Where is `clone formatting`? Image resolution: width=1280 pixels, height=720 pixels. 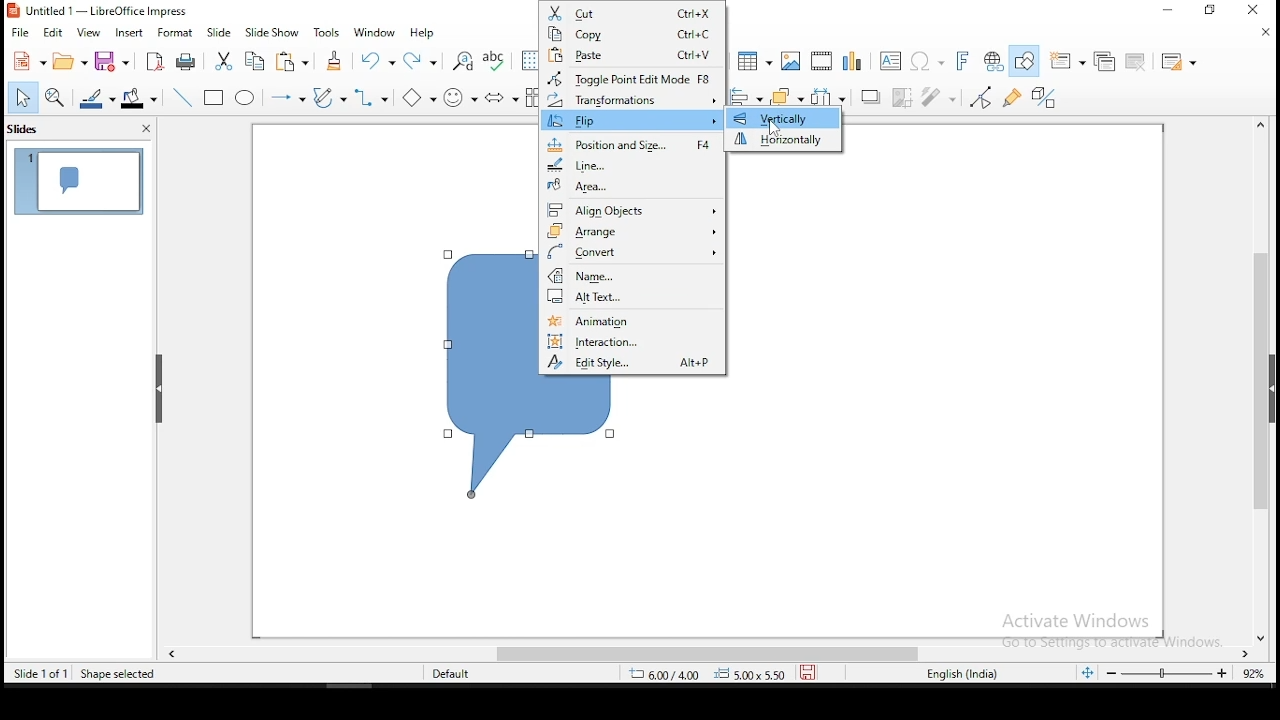 clone formatting is located at coordinates (338, 61).